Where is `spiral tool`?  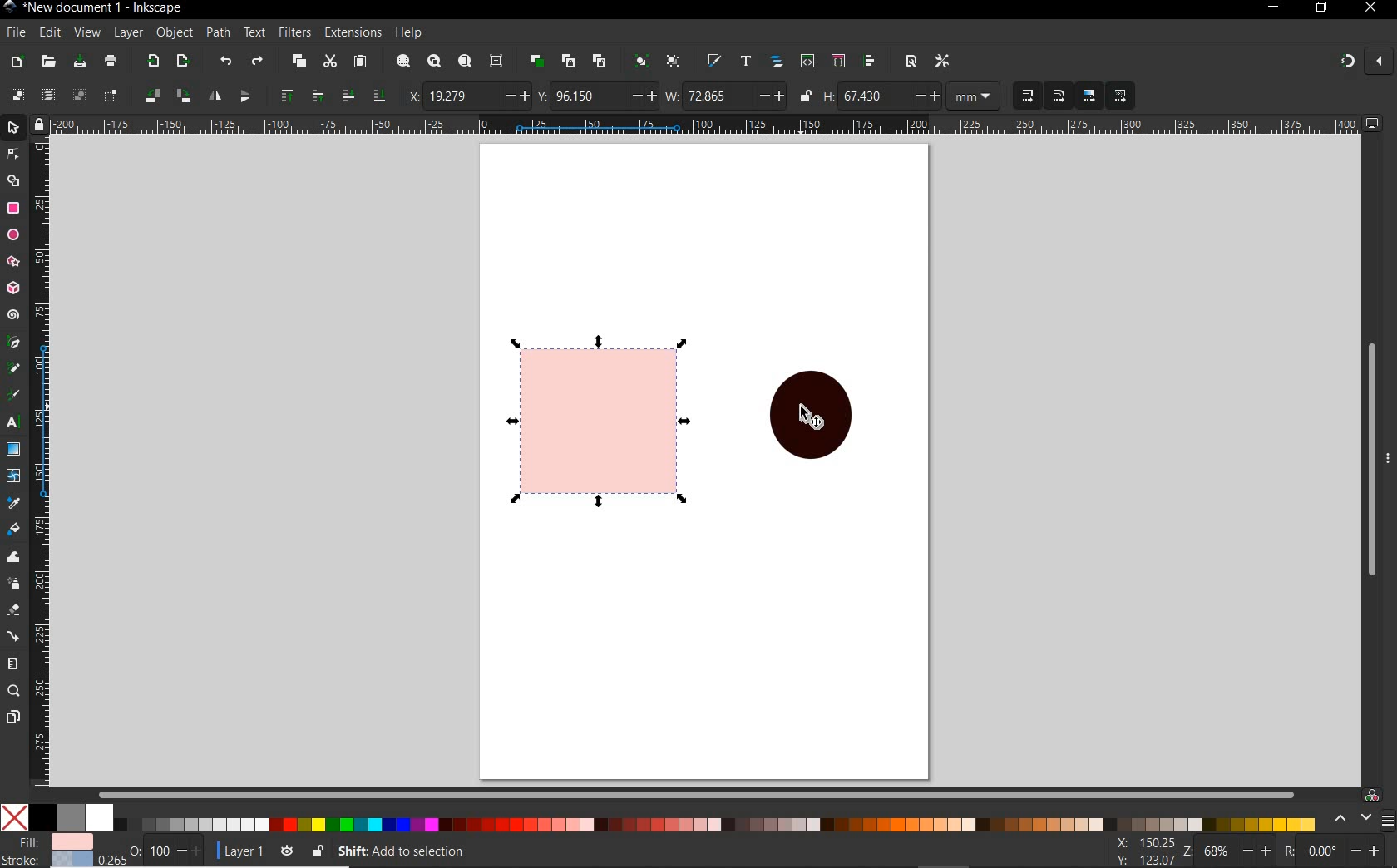
spiral tool is located at coordinates (13, 314).